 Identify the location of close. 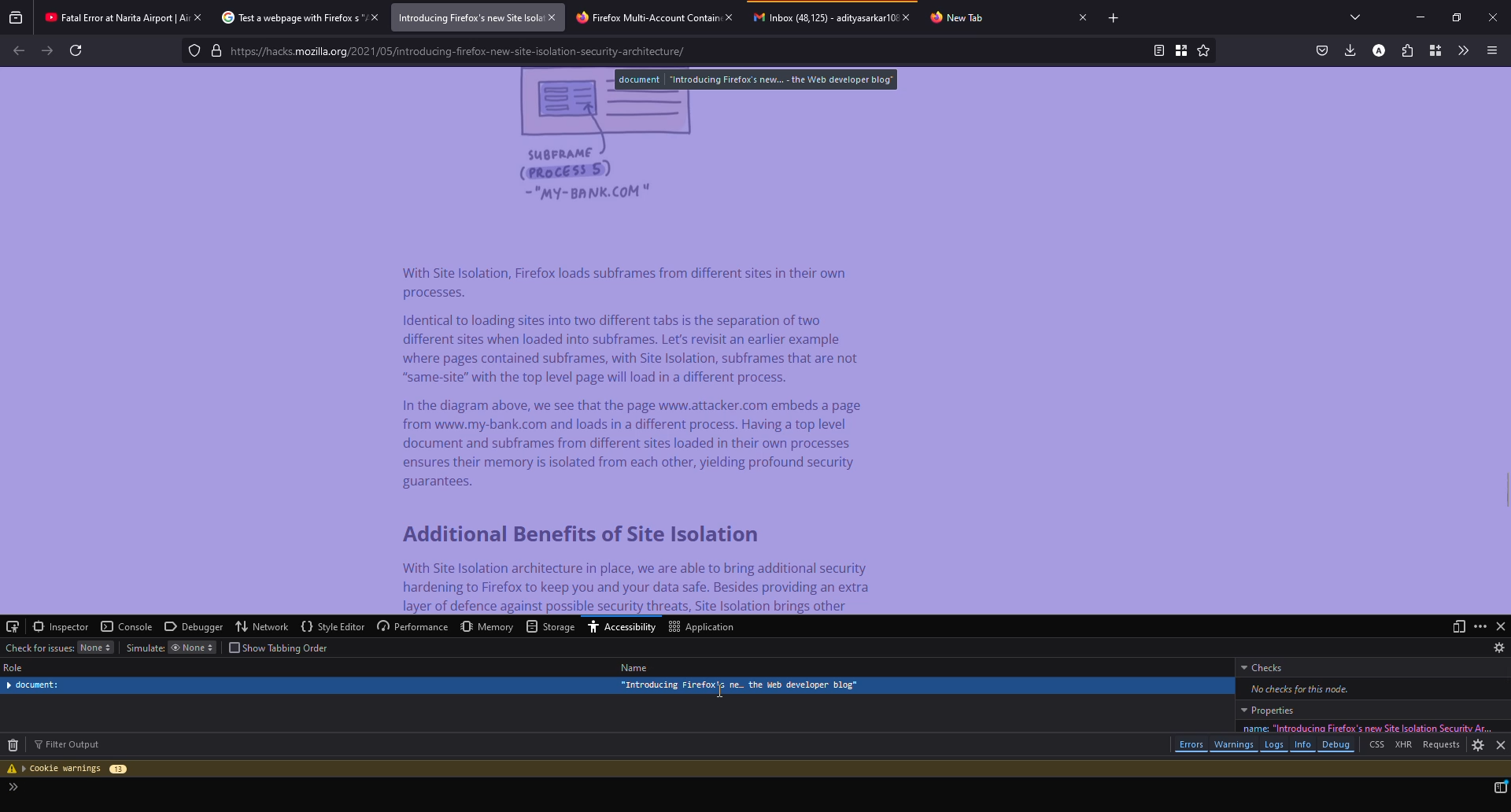
(1502, 626).